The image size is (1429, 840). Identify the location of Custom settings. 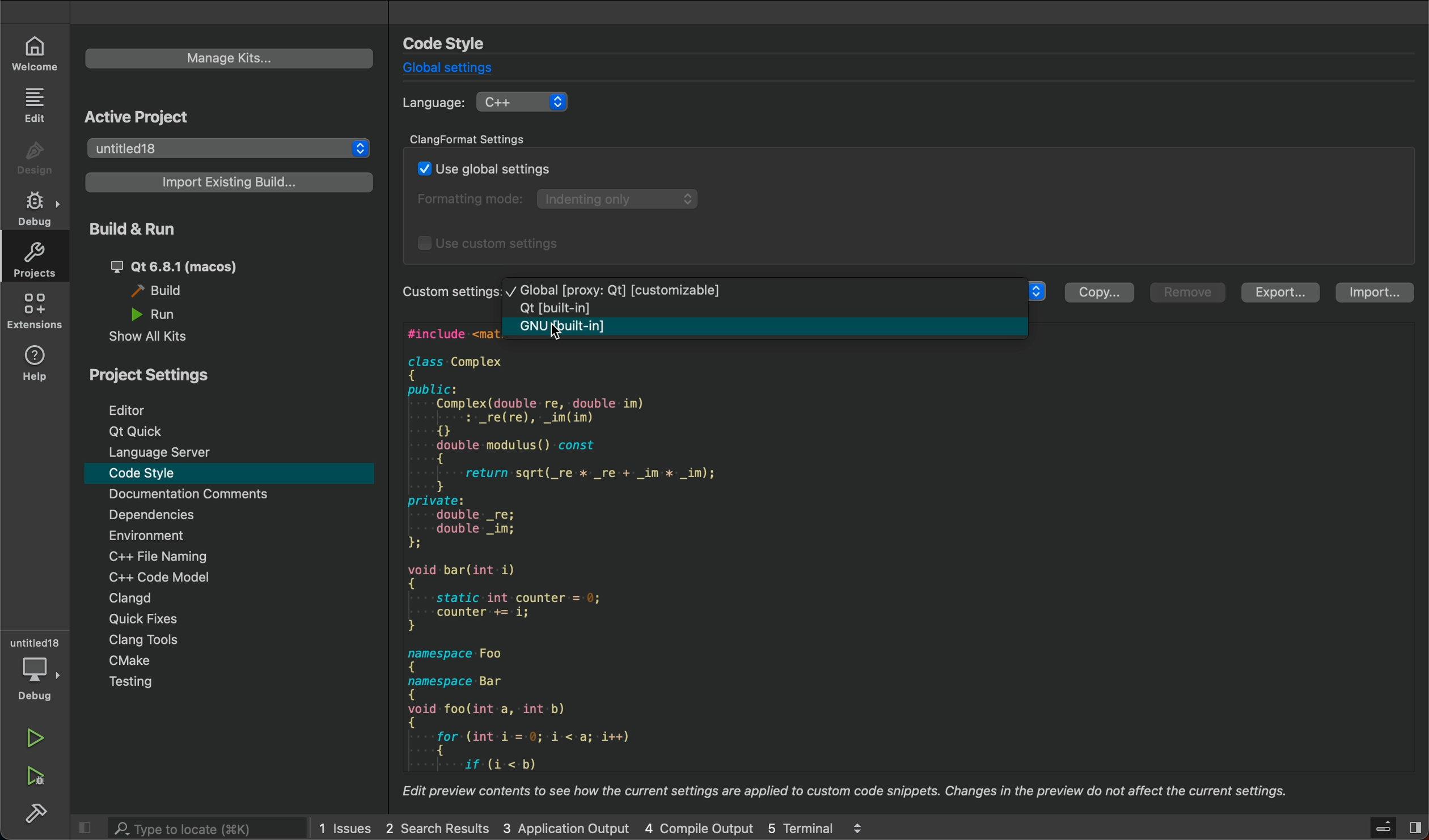
(452, 294).